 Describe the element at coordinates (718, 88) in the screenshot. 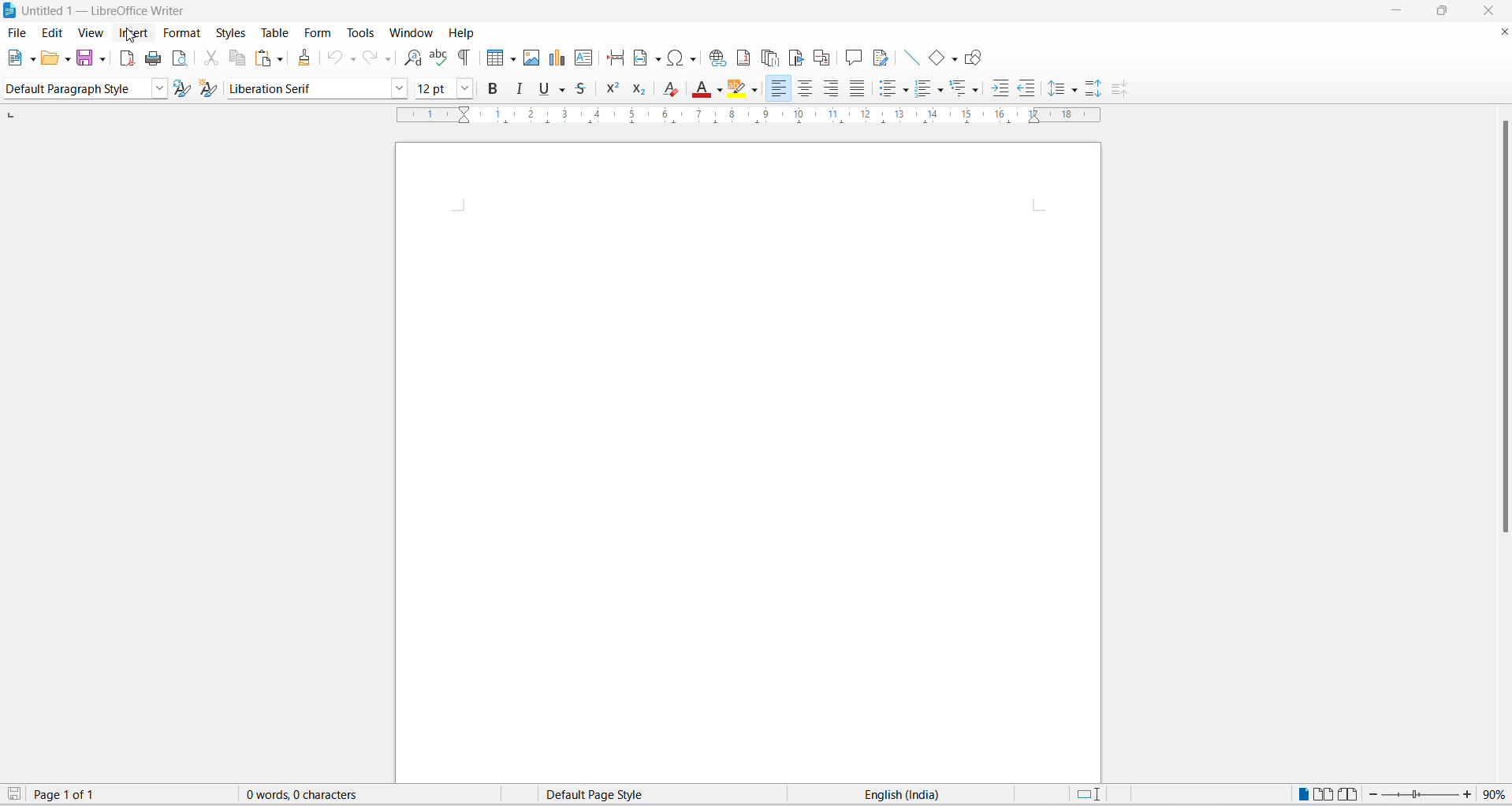

I see `font color options` at that location.